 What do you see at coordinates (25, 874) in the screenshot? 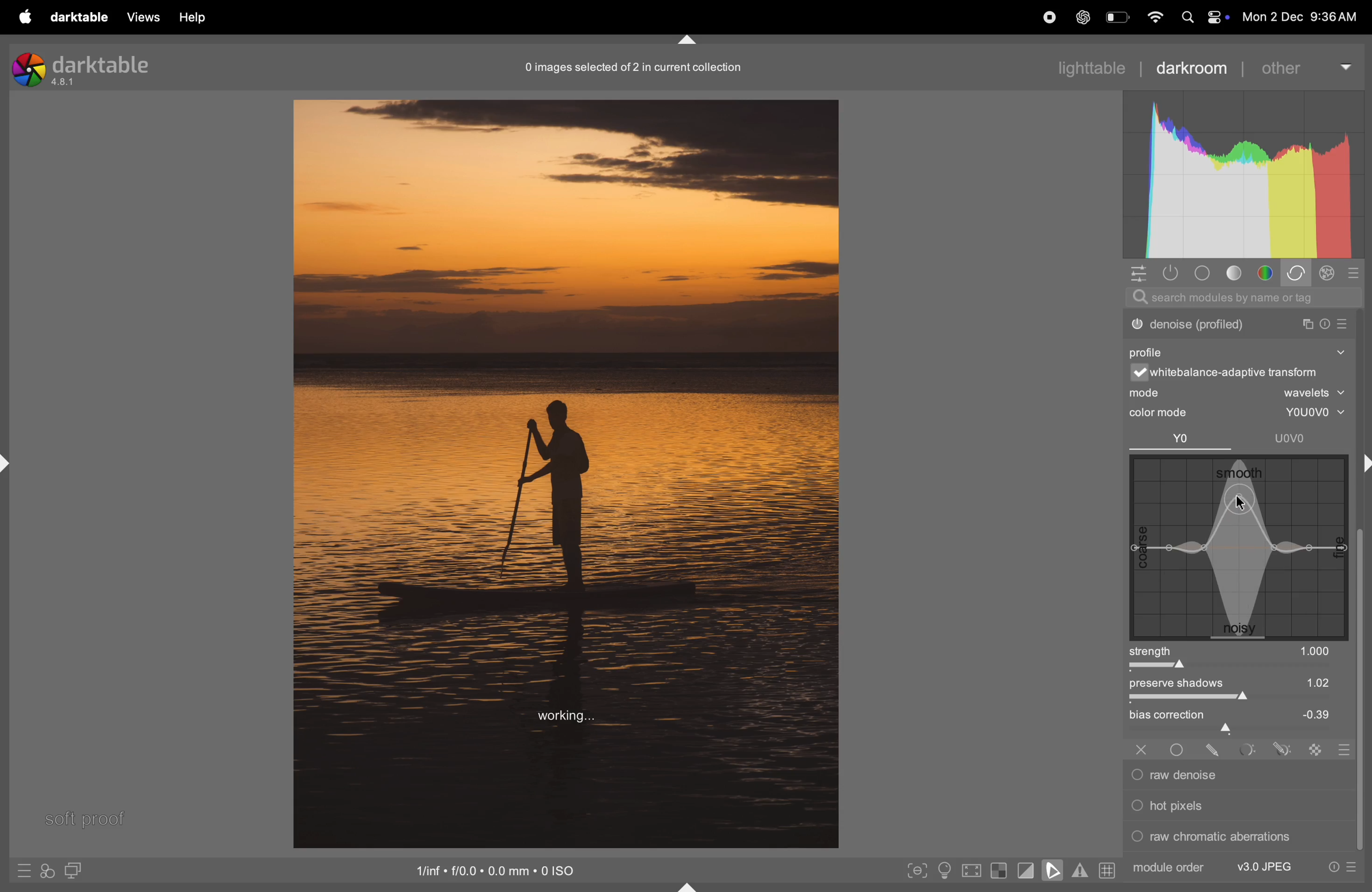
I see `sign` at bounding box center [25, 874].